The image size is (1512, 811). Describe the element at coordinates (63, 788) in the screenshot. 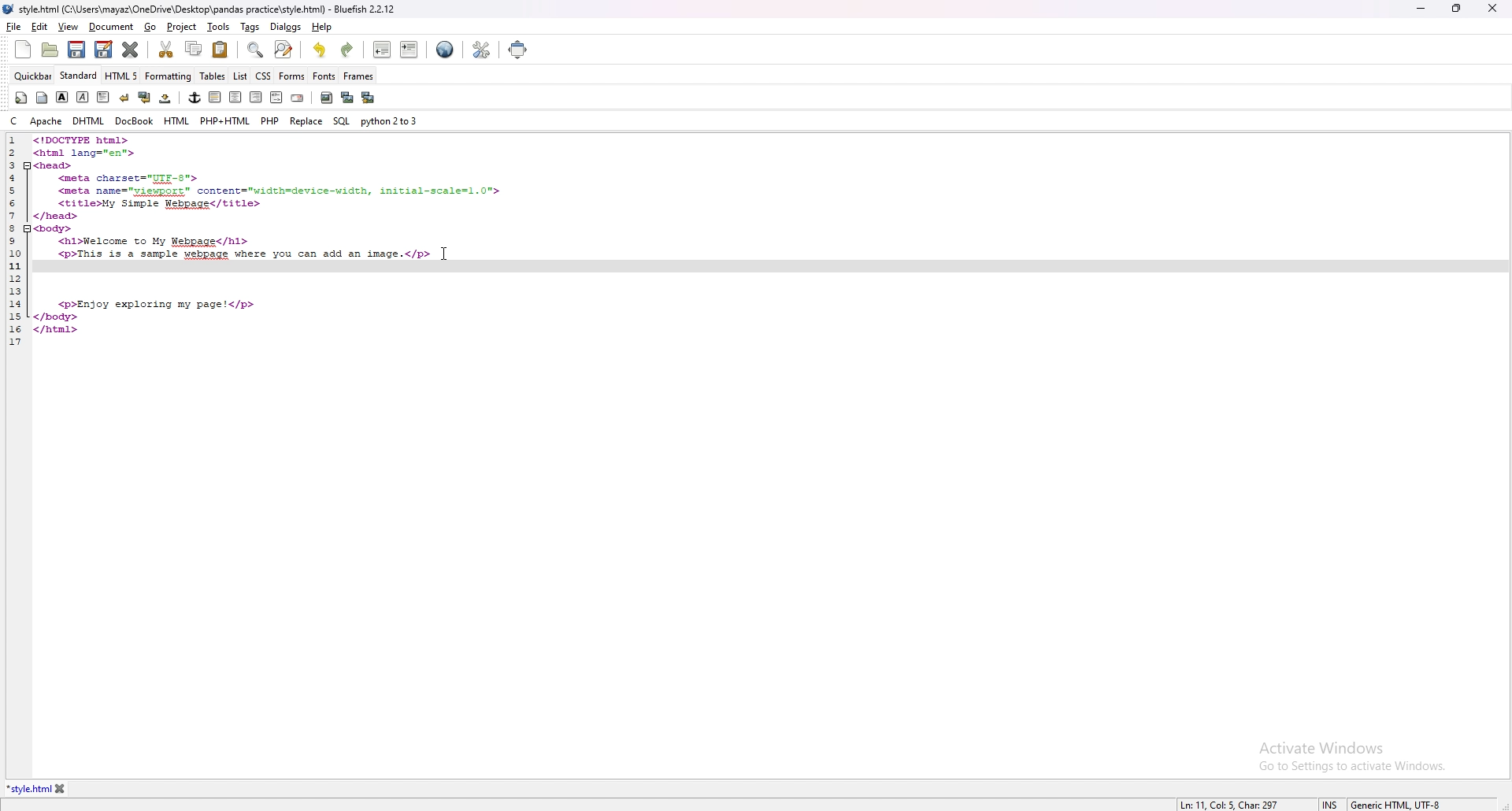

I see `close tab` at that location.